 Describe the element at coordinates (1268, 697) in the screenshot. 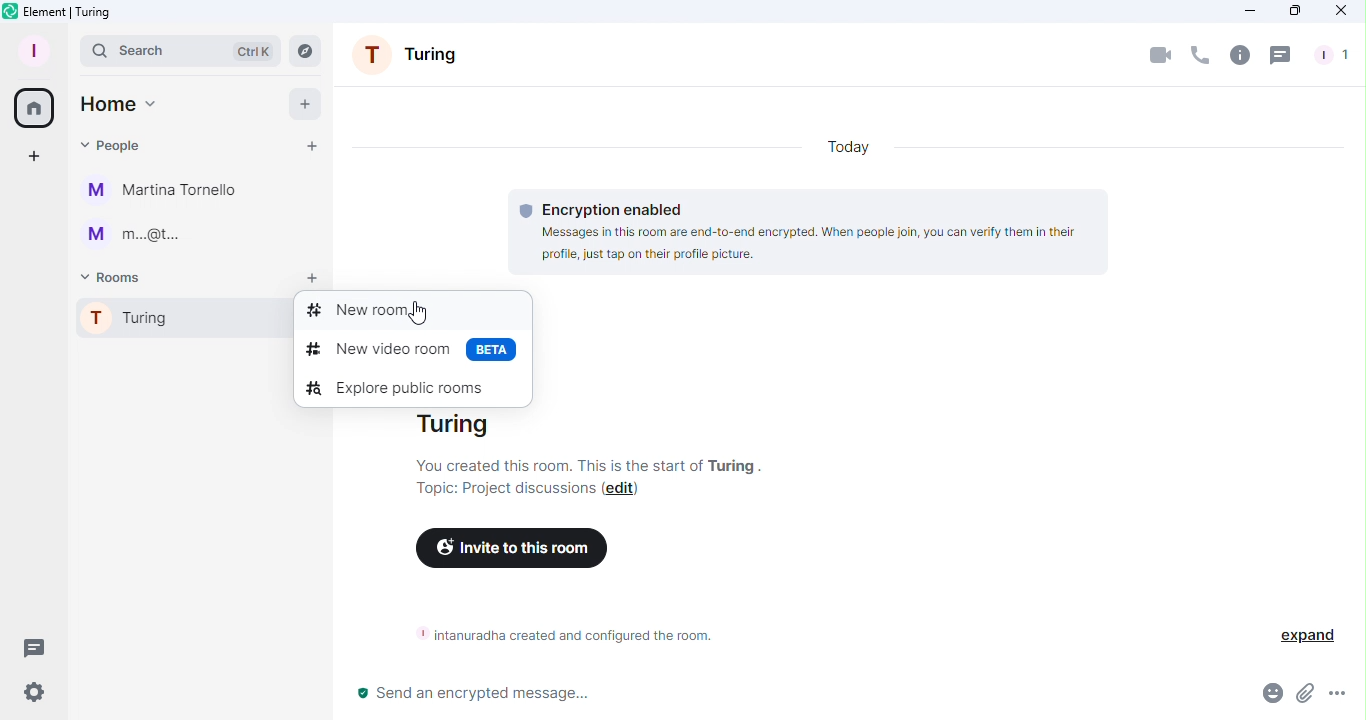

I see `Emoji` at that location.